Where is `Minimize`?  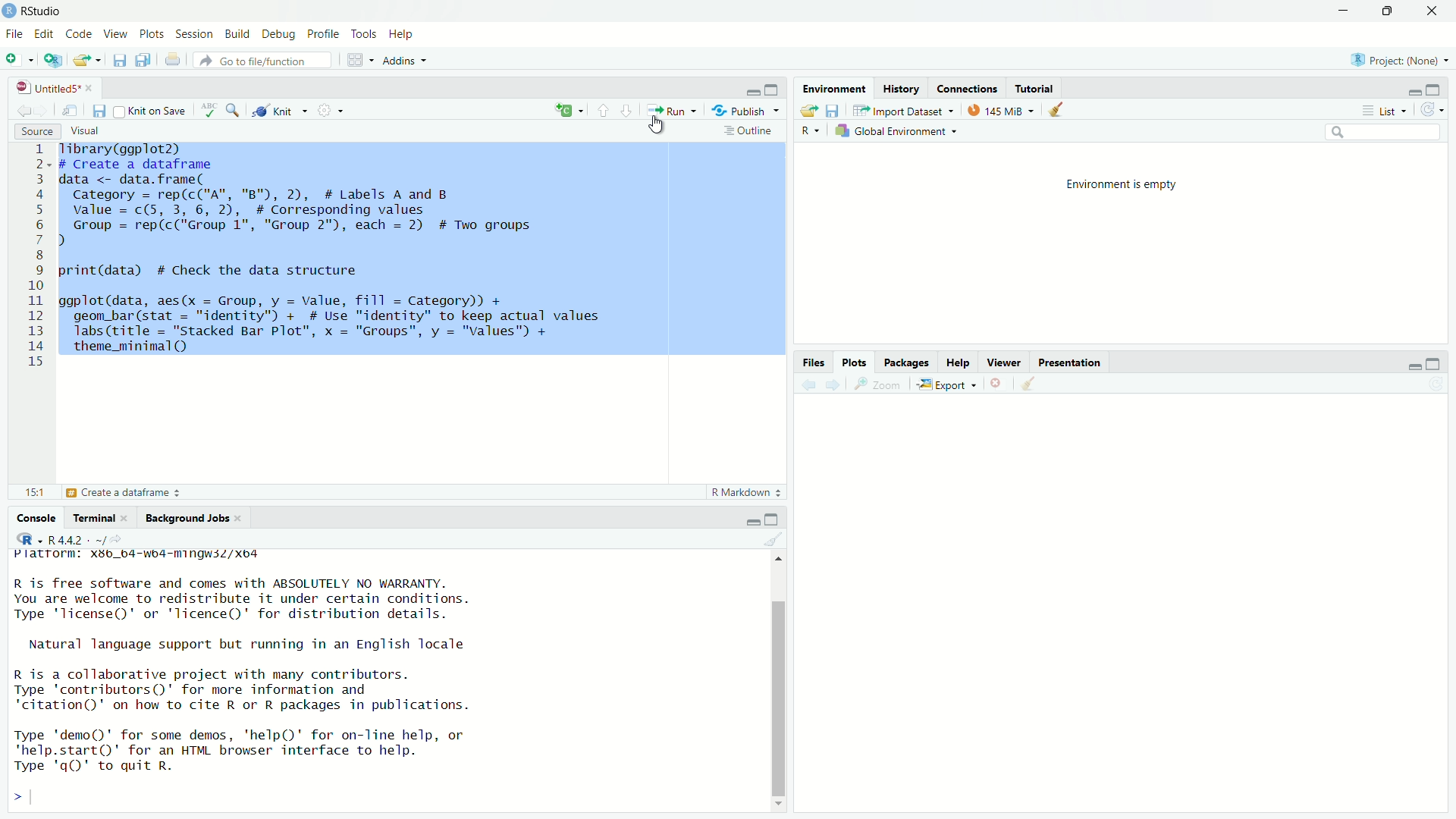
Minimize is located at coordinates (1345, 11).